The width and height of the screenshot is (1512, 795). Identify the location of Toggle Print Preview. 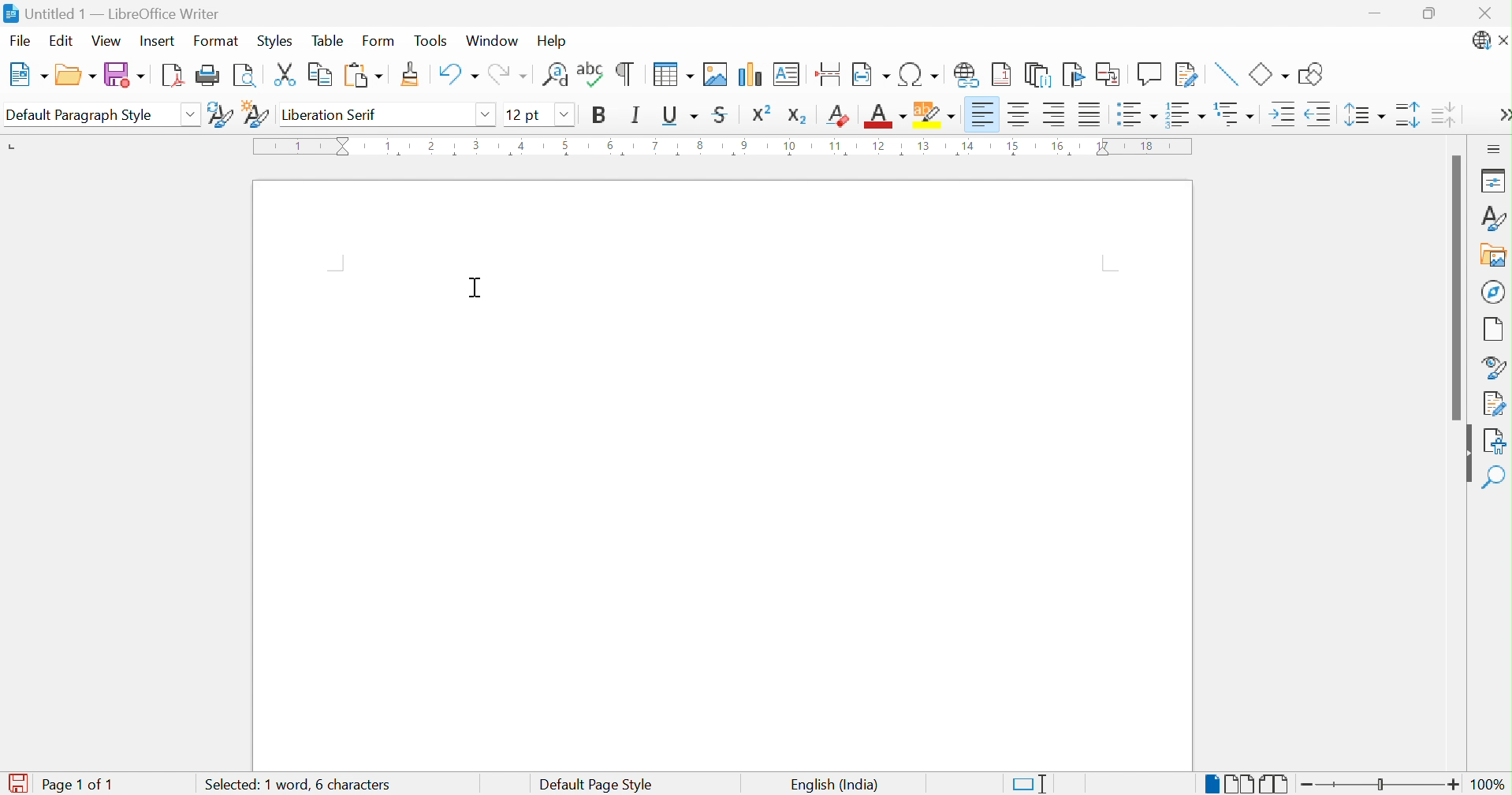
(248, 76).